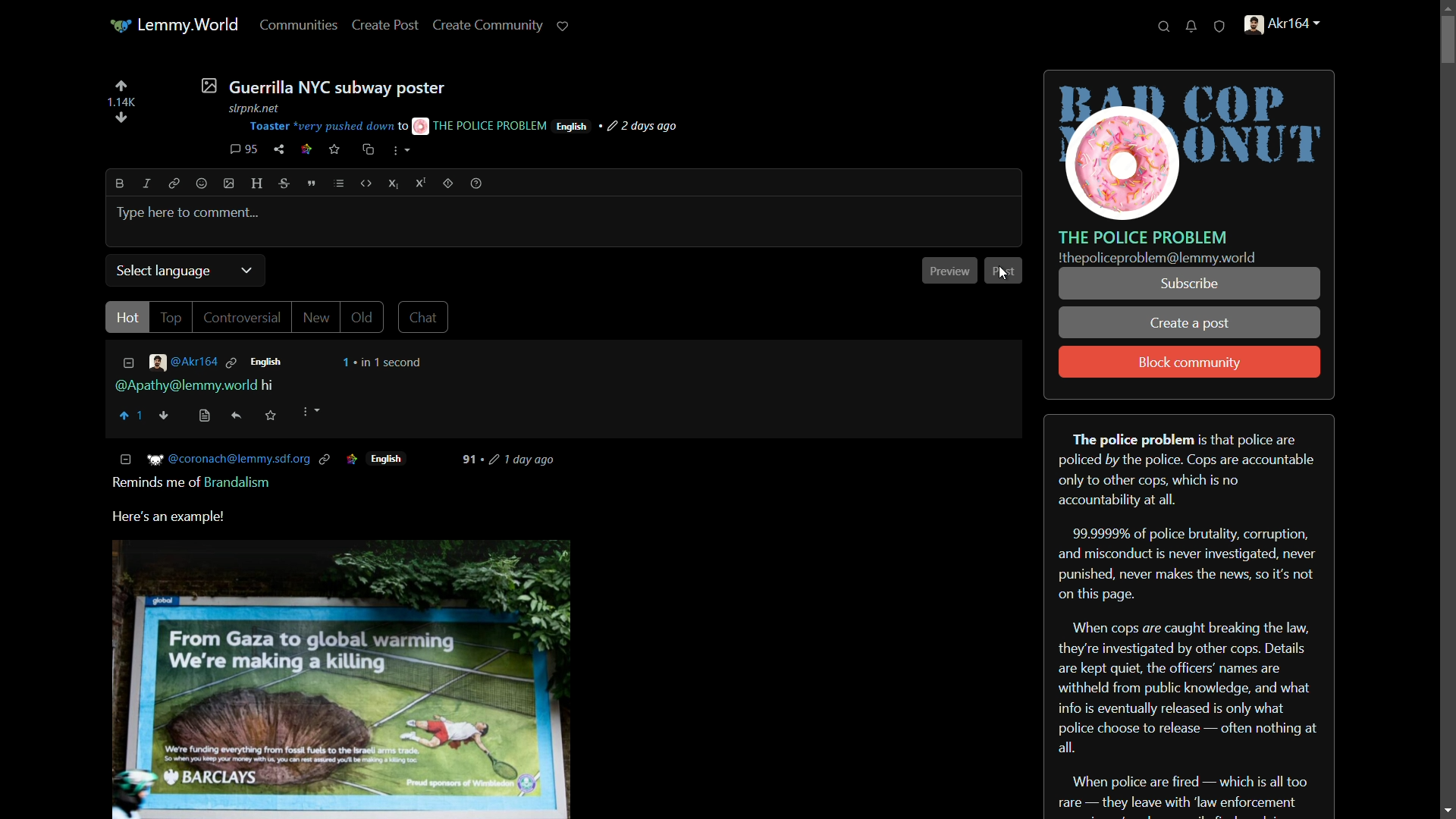  Describe the element at coordinates (476, 184) in the screenshot. I see `help` at that location.